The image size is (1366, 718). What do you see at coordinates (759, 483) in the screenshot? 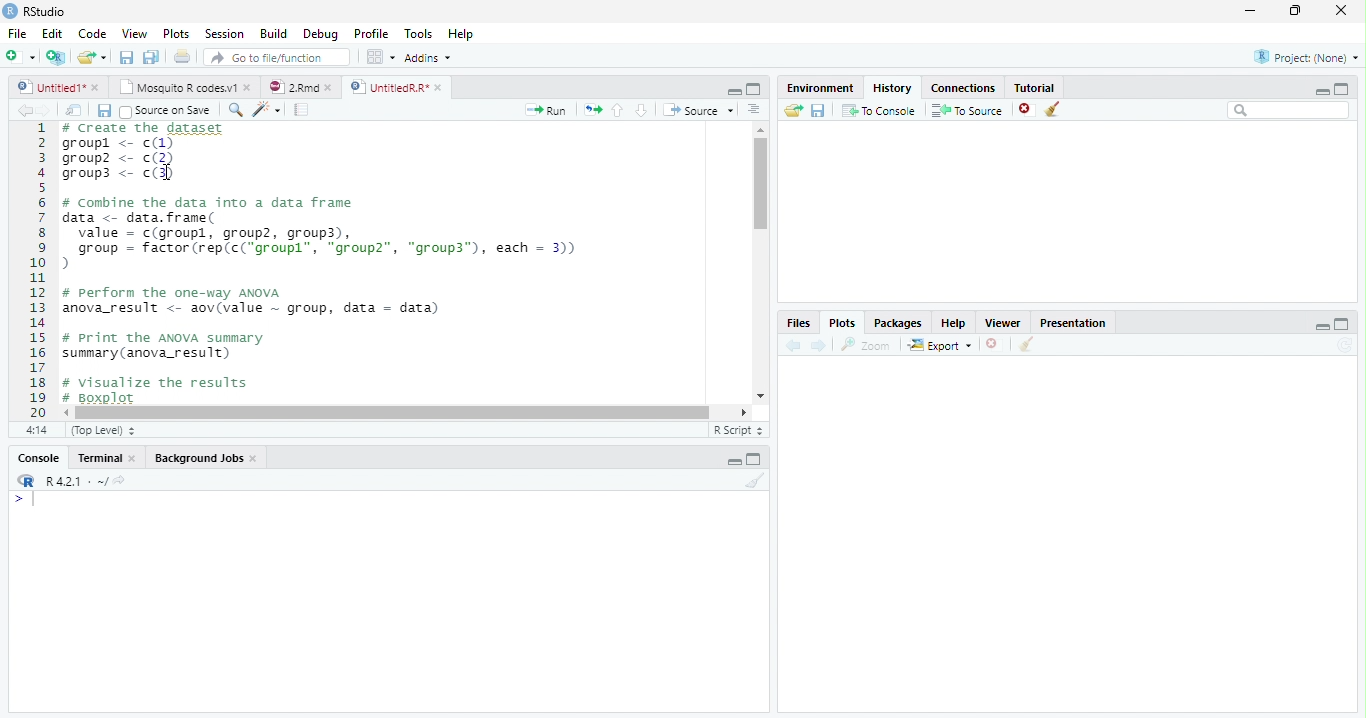
I see `Clear console` at bounding box center [759, 483].